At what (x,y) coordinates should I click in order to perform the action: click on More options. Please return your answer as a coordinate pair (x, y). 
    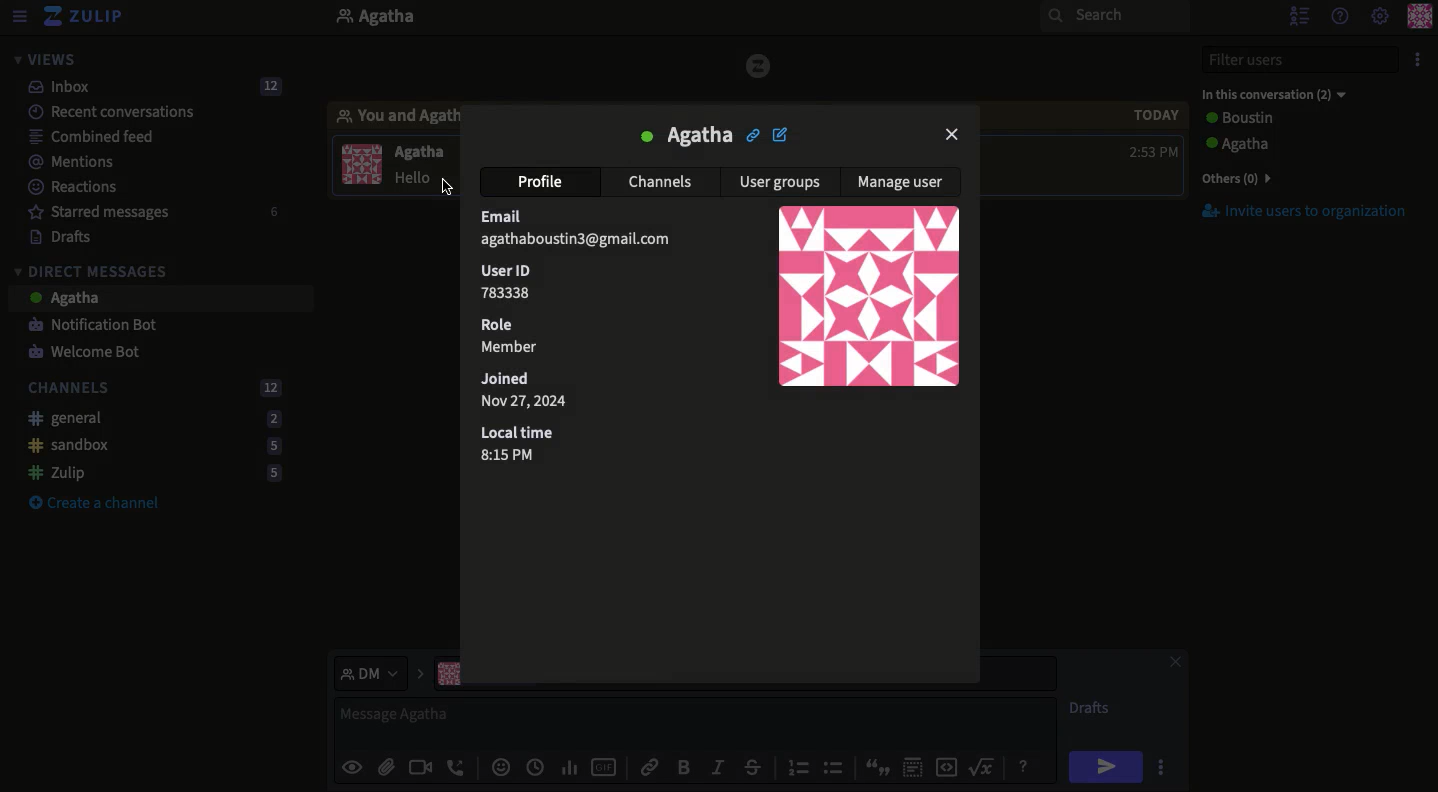
    Looking at the image, I should click on (1419, 58).